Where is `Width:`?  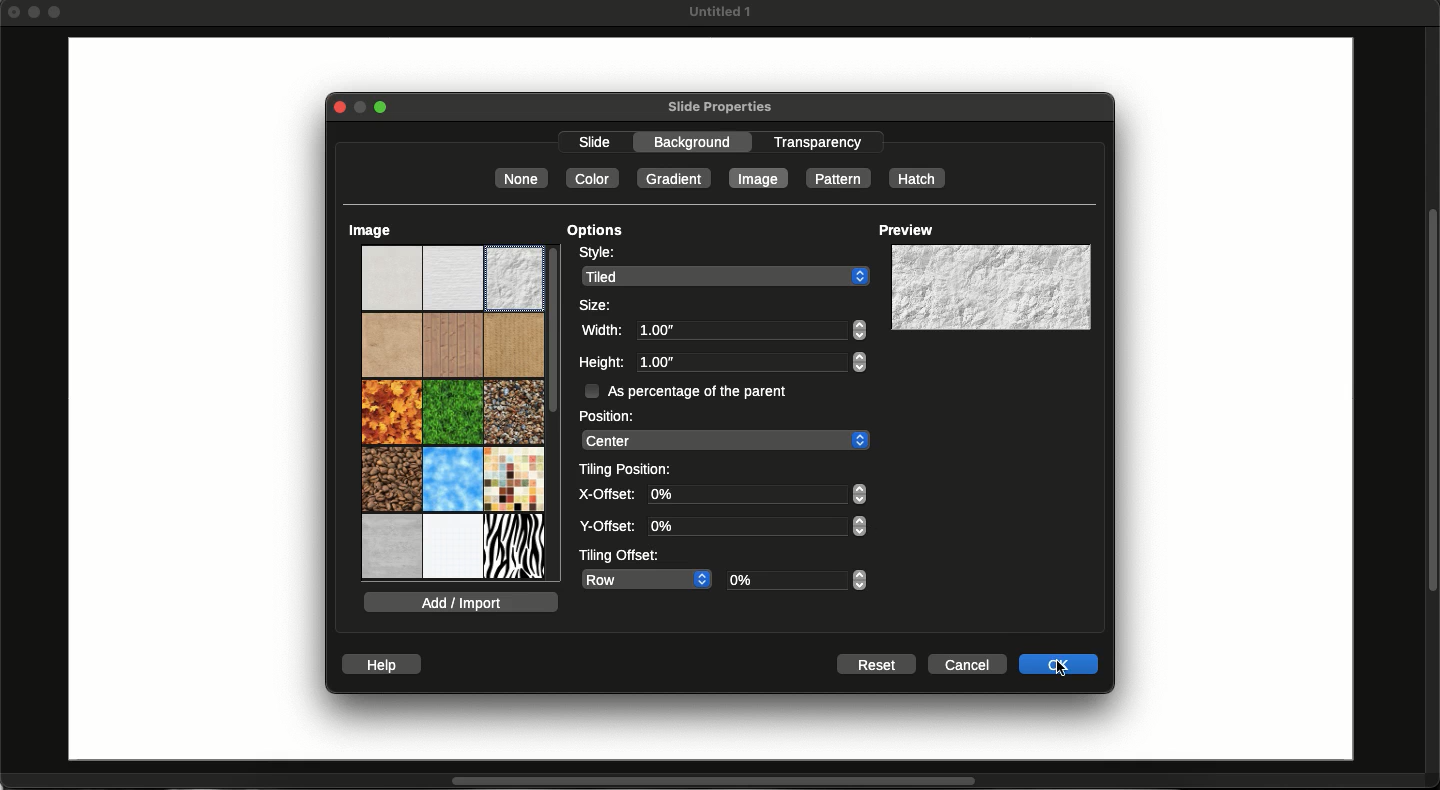 Width: is located at coordinates (603, 330).